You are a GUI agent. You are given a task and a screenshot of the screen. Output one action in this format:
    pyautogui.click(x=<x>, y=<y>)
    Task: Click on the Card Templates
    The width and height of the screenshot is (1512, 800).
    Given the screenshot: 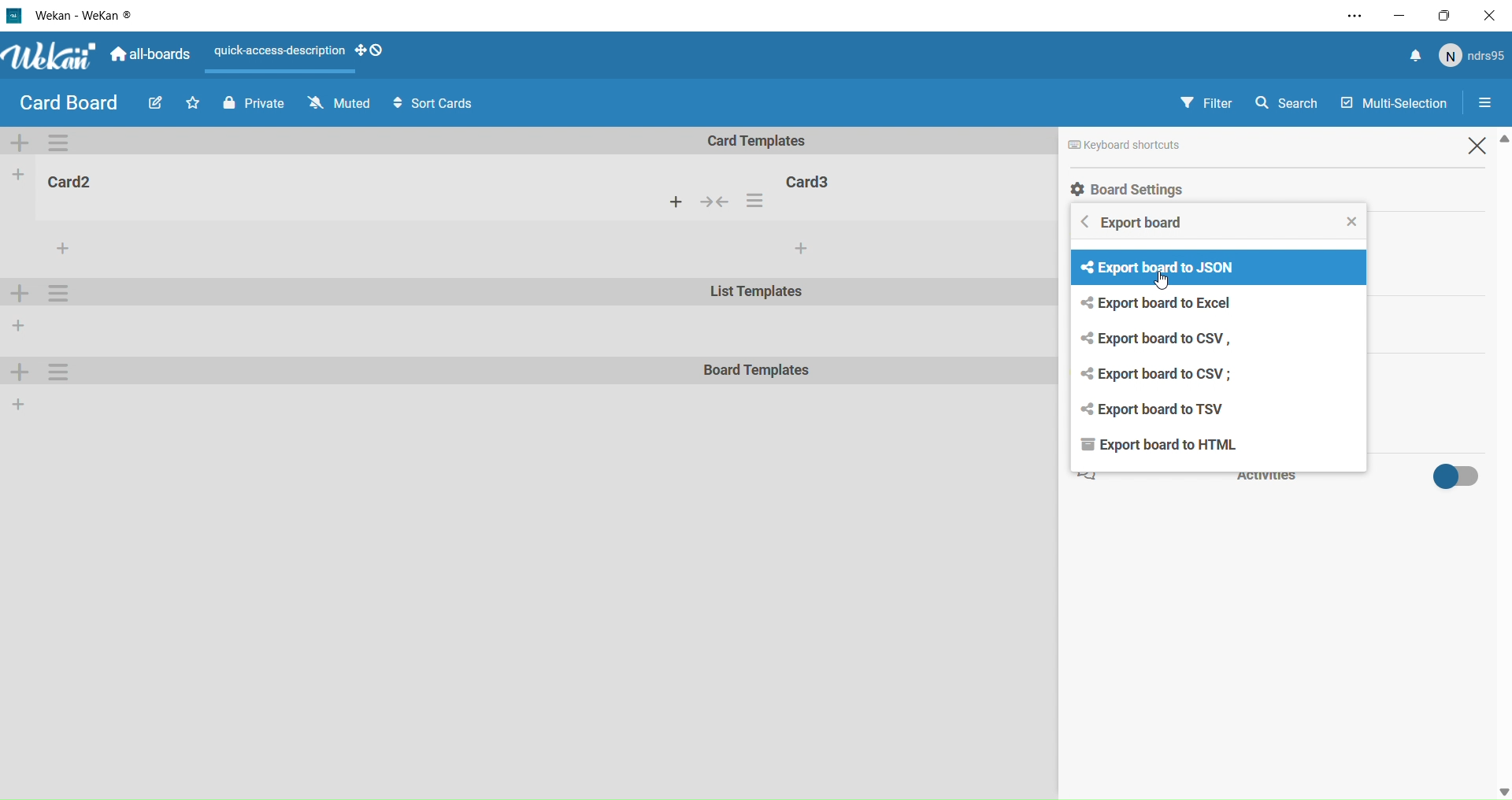 What is the action you would take?
    pyautogui.click(x=768, y=141)
    